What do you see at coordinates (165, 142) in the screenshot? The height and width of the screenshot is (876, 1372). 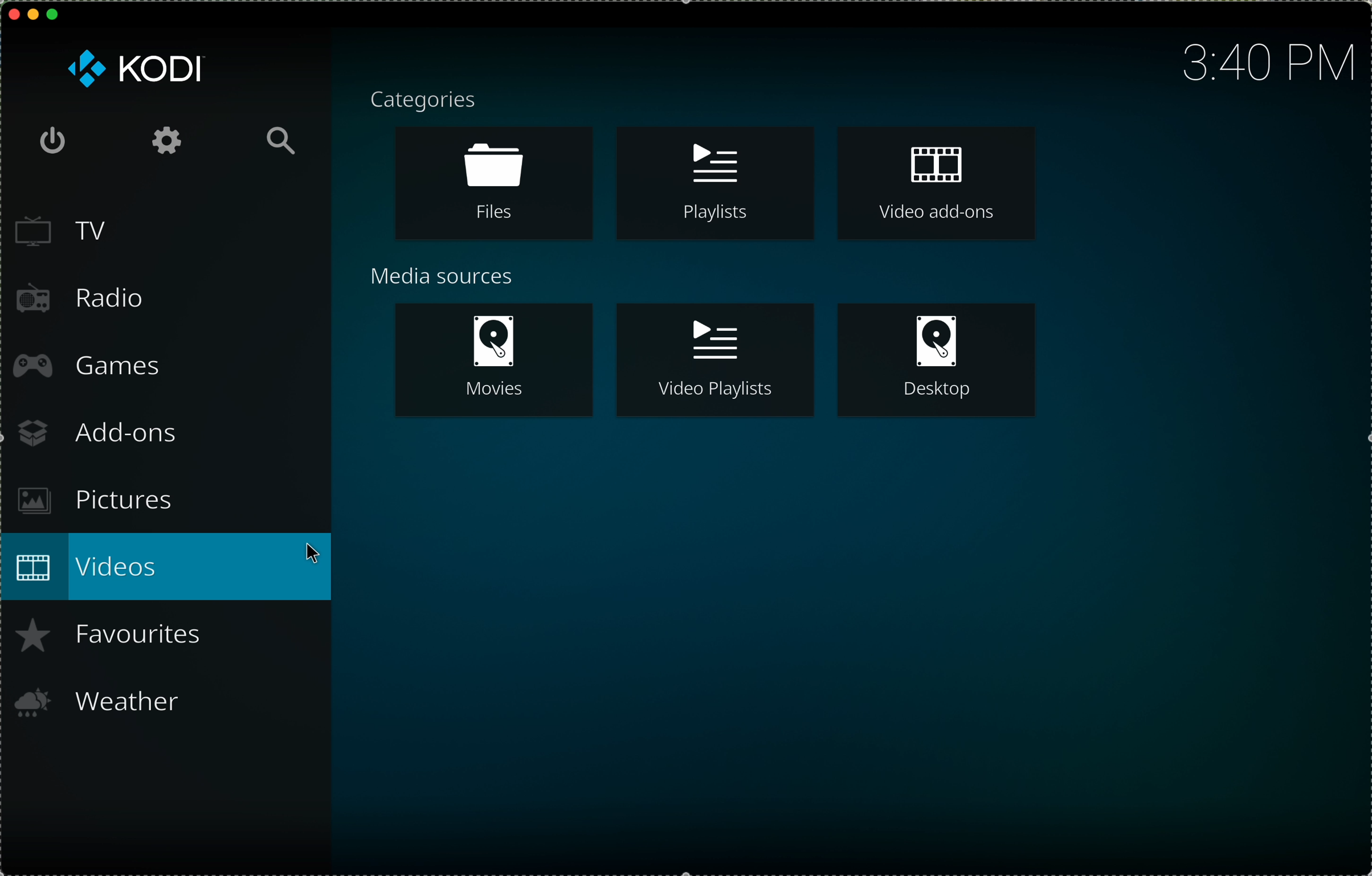 I see `settings` at bounding box center [165, 142].